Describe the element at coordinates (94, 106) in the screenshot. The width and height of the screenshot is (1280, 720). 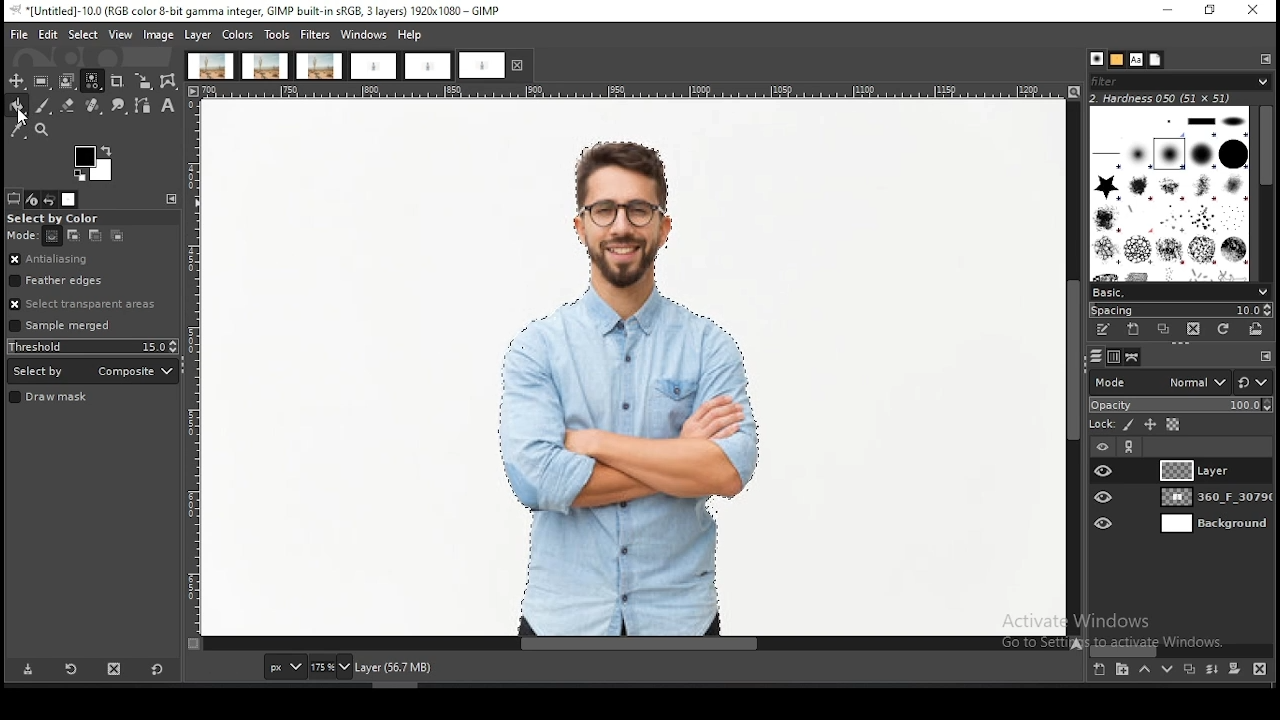
I see `healing tool` at that location.